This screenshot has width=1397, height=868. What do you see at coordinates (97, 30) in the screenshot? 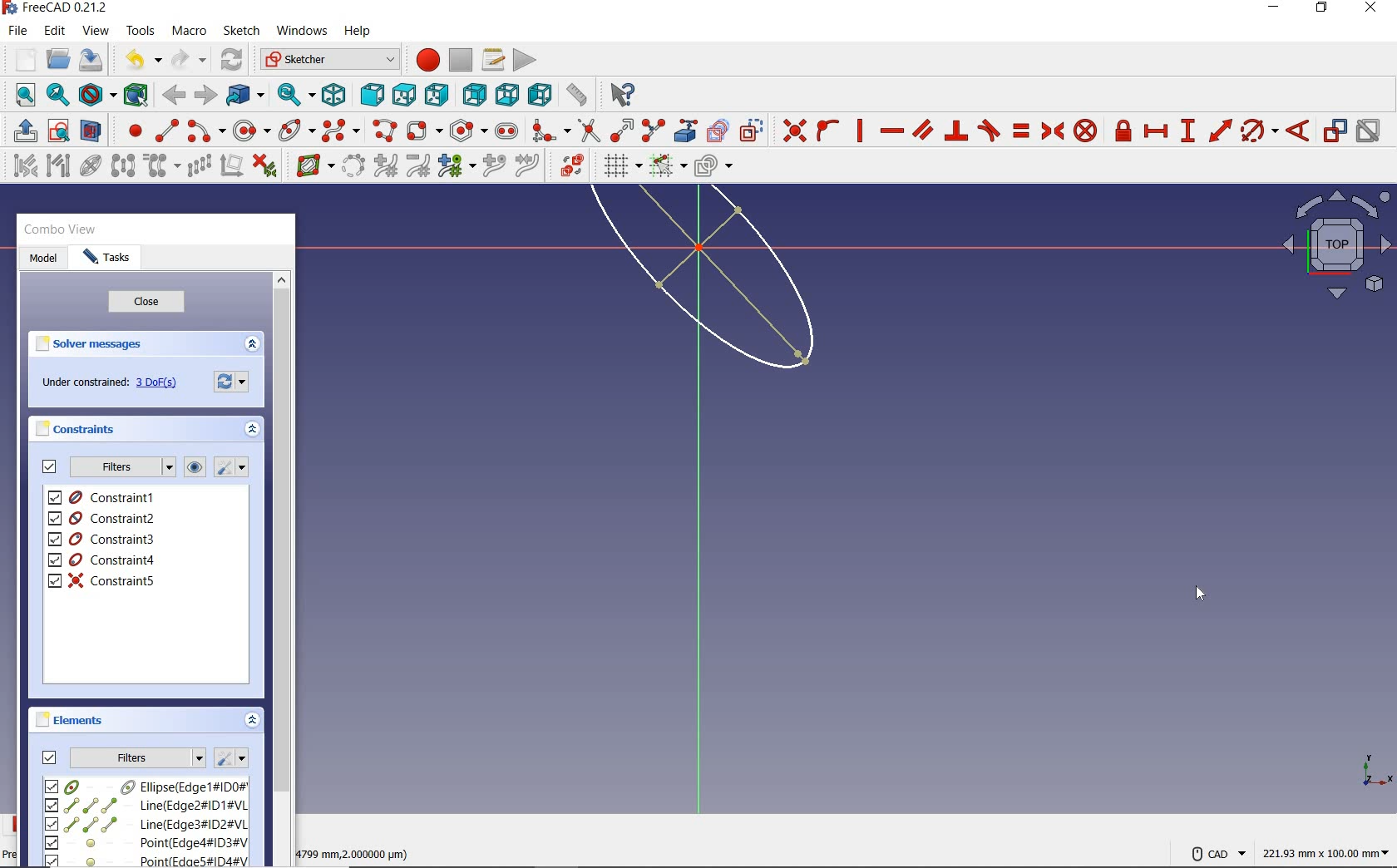
I see `view` at bounding box center [97, 30].